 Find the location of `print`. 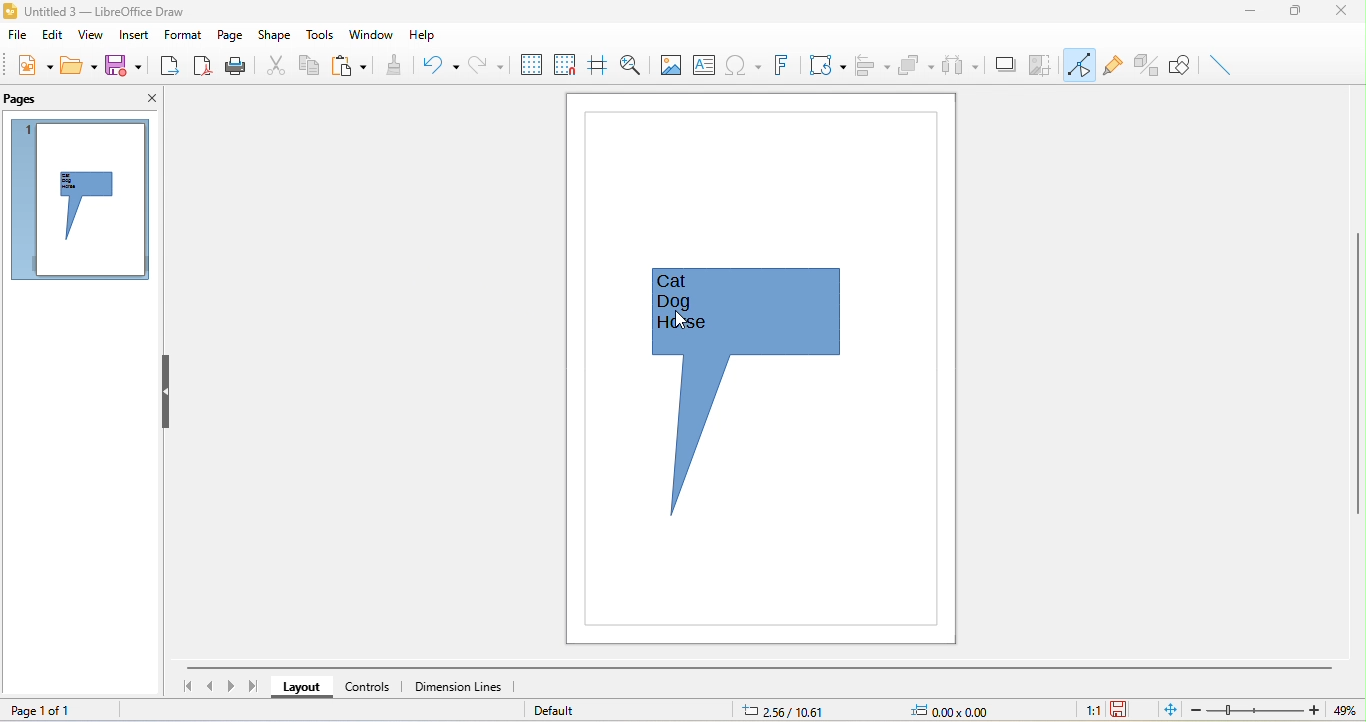

print is located at coordinates (236, 68).